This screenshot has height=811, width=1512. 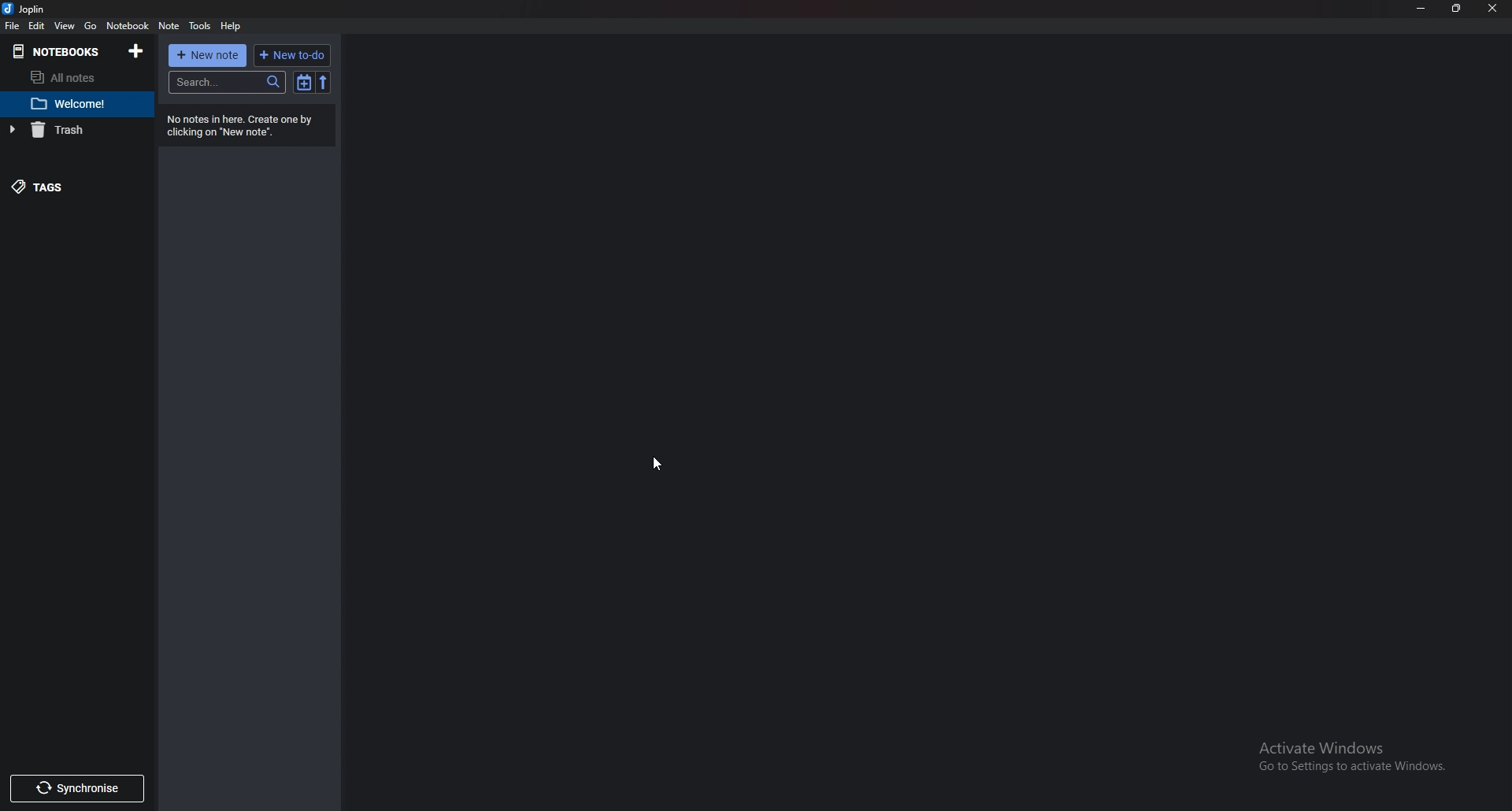 I want to click on New note, so click(x=209, y=55).